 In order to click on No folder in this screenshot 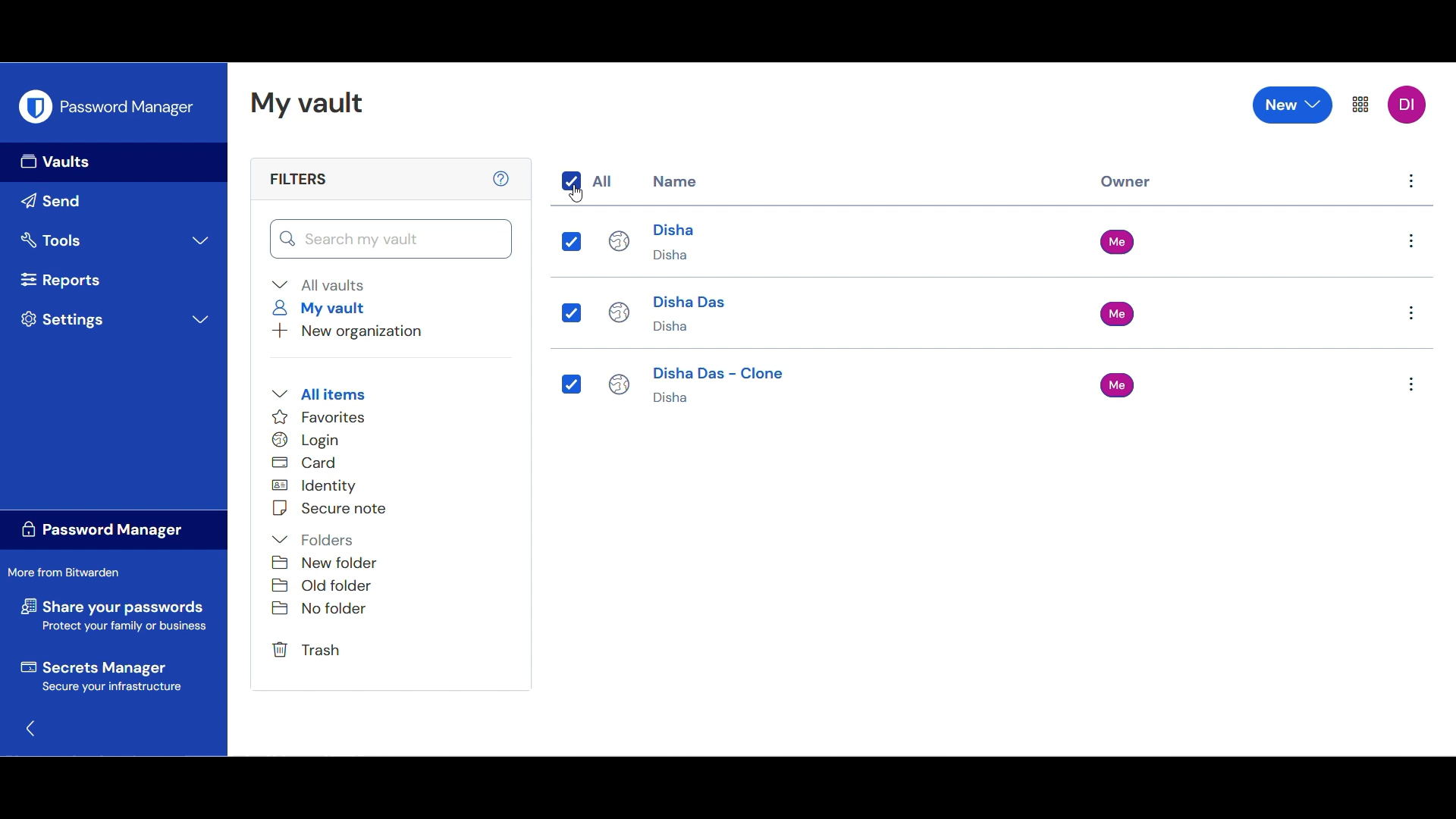, I will do `click(317, 611)`.